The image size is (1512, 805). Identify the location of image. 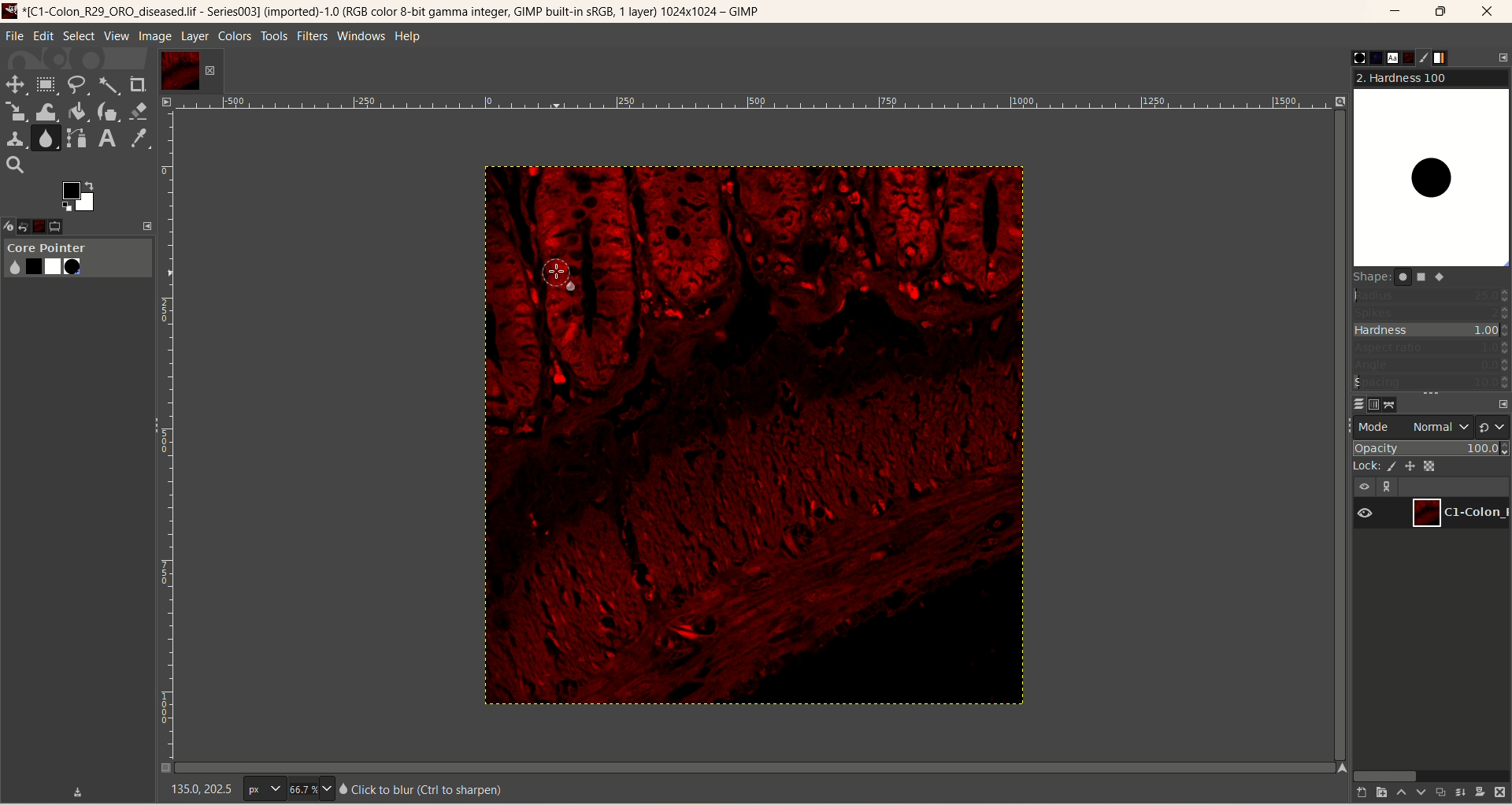
(741, 440).